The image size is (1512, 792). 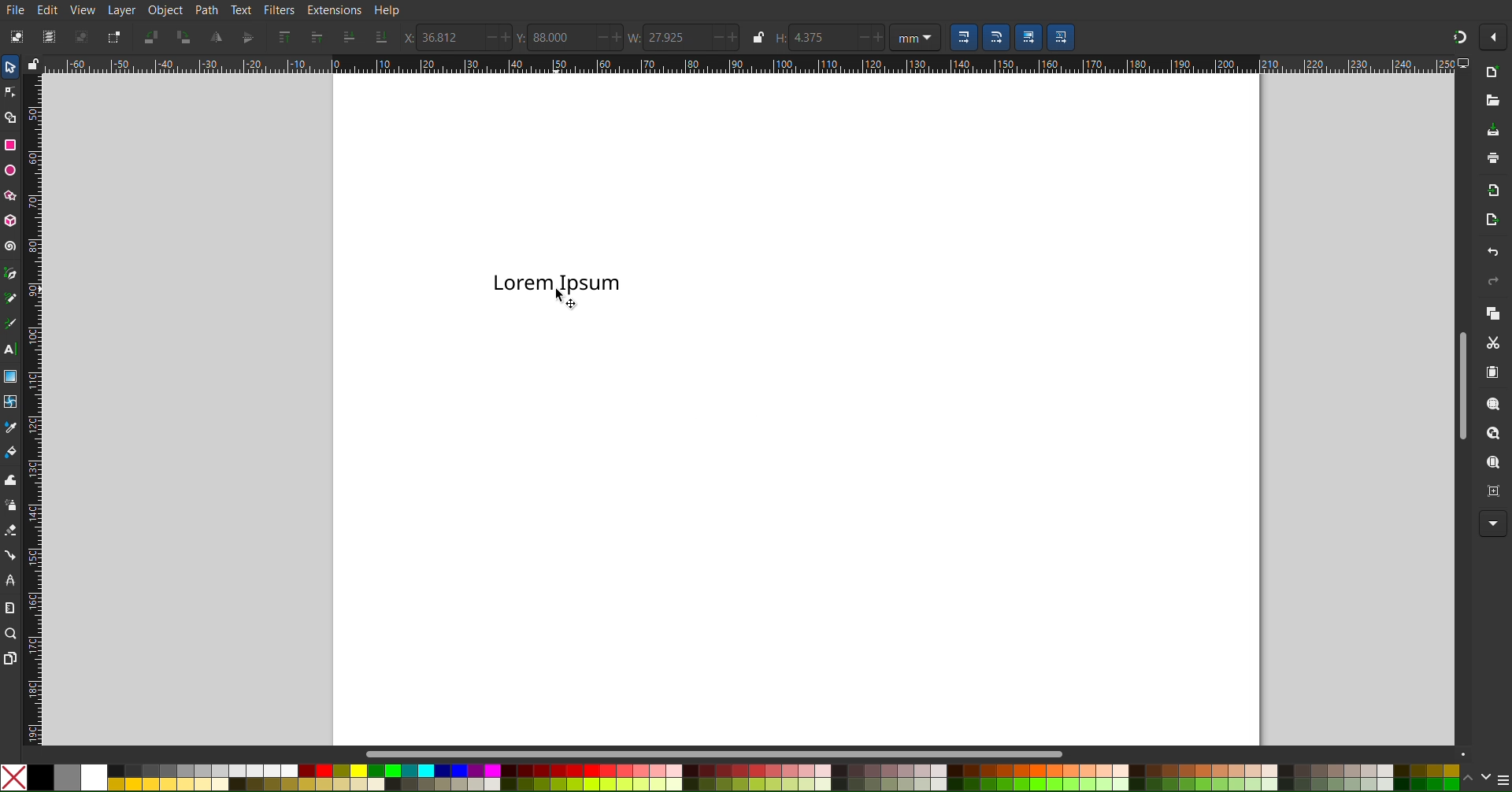 What do you see at coordinates (80, 36) in the screenshot?
I see `Deselect` at bounding box center [80, 36].